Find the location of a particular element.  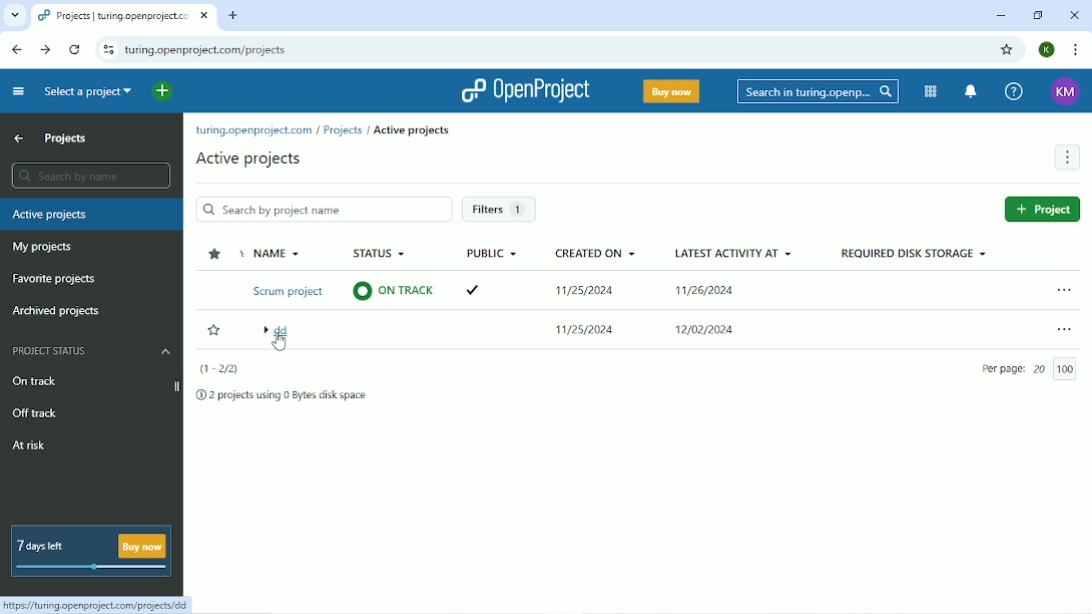

Link is located at coordinates (101, 604).